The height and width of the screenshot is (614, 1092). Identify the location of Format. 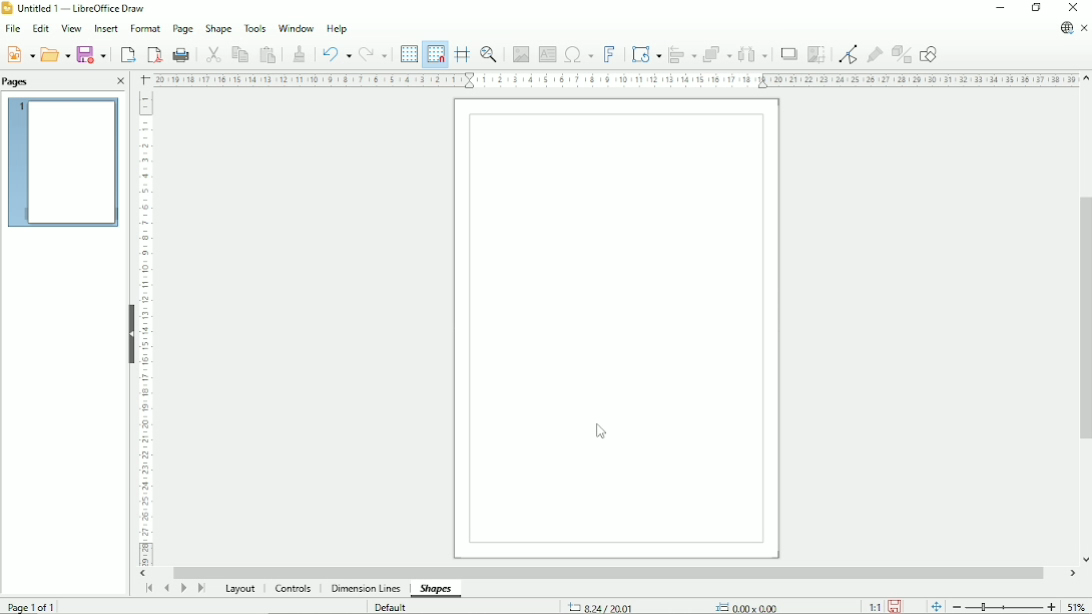
(145, 29).